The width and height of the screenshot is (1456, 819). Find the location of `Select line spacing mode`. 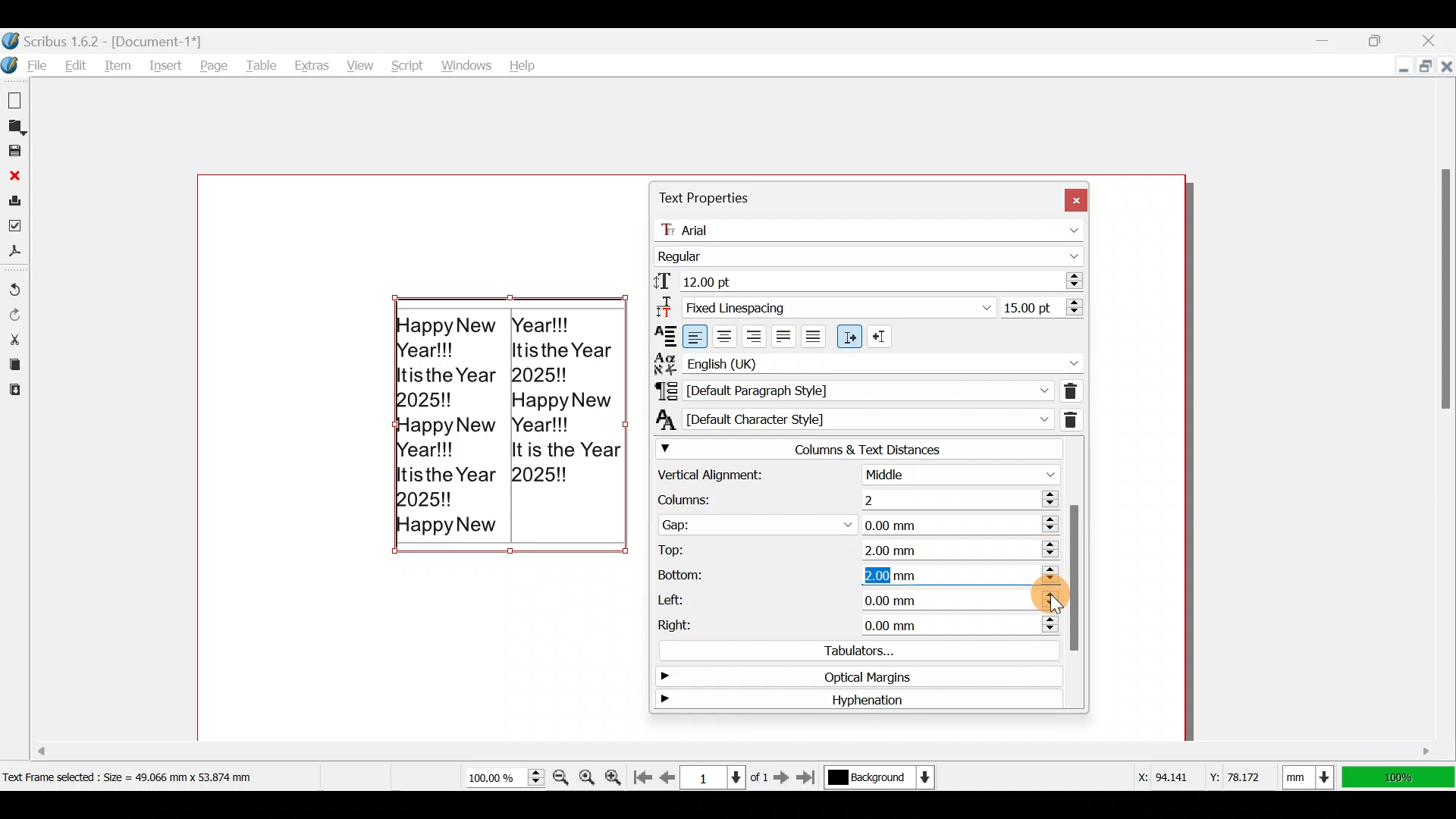

Select line spacing mode is located at coordinates (824, 306).